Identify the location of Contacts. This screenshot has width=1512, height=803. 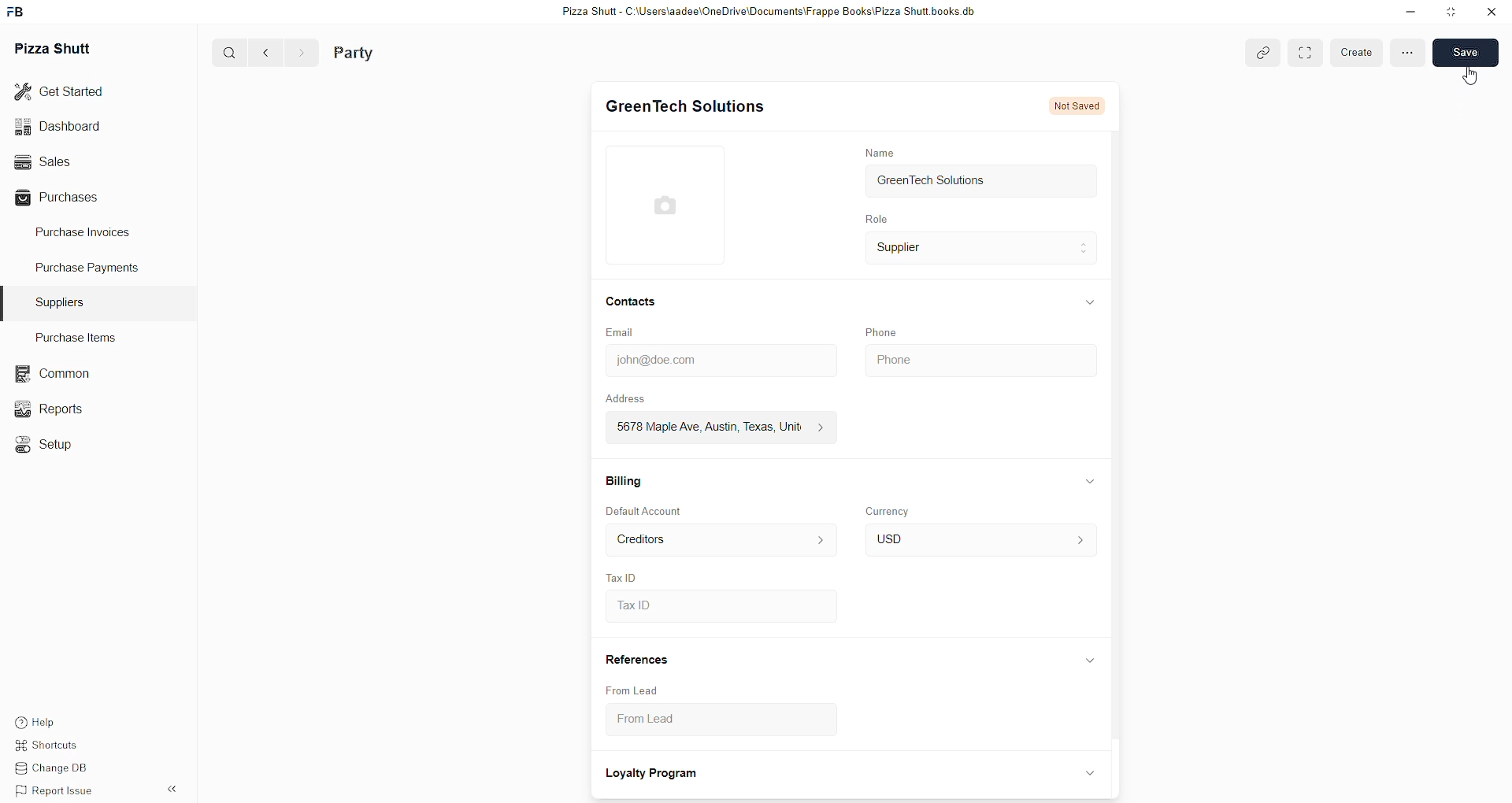
(632, 303).